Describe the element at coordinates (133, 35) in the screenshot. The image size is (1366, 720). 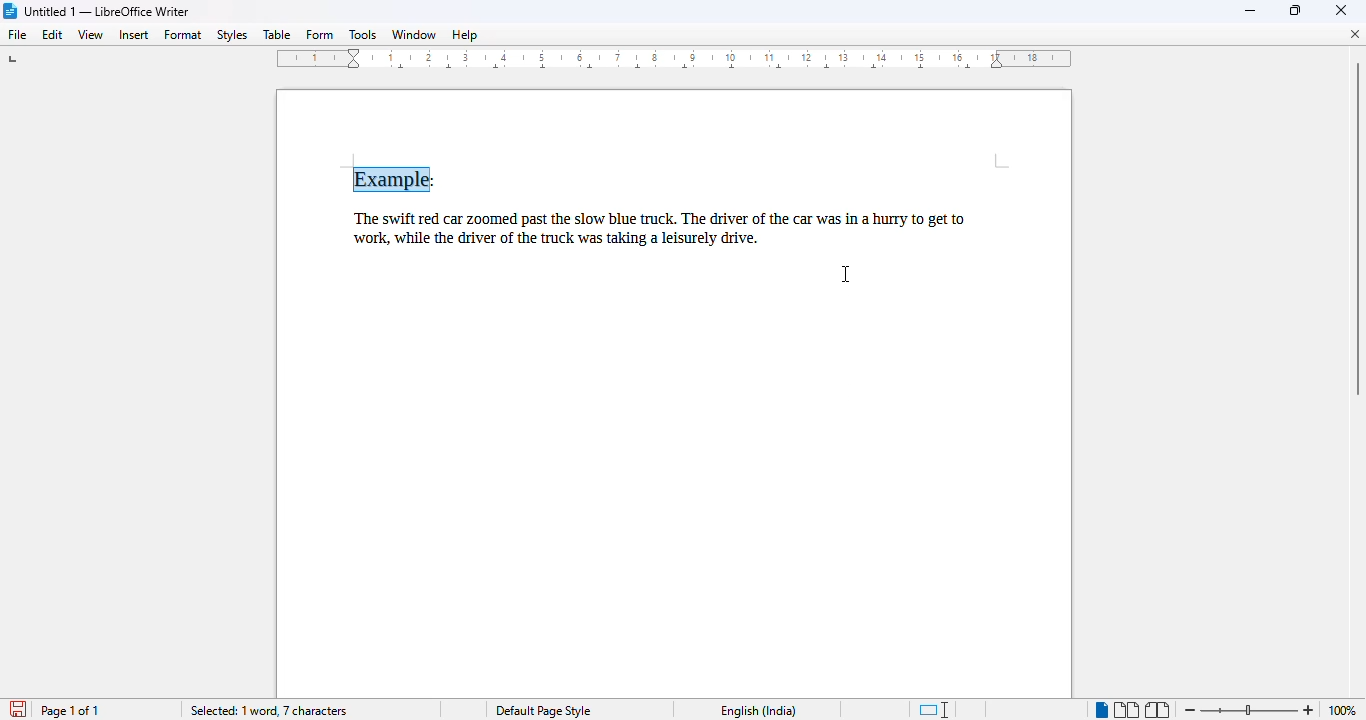
I see `insert` at that location.